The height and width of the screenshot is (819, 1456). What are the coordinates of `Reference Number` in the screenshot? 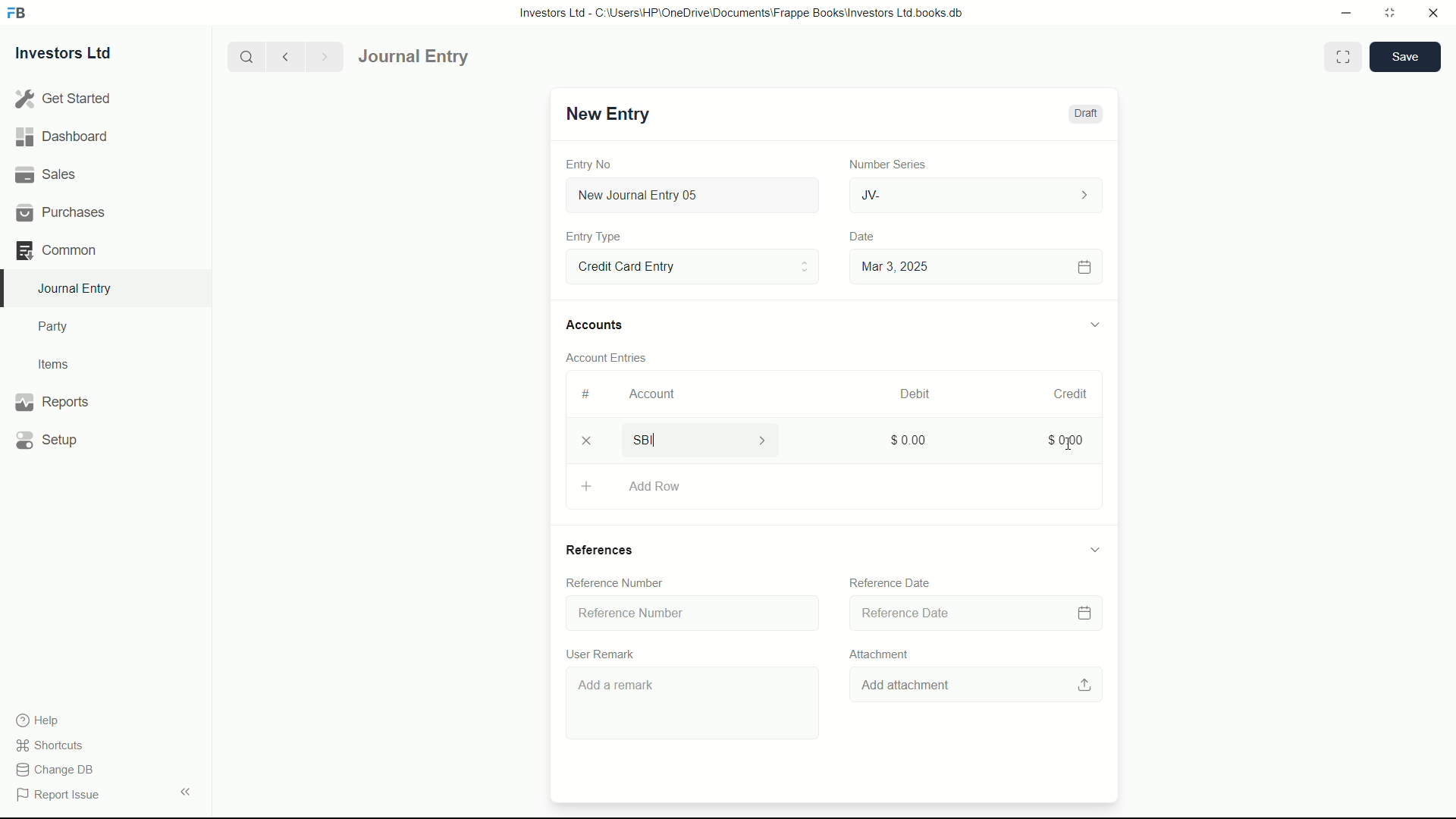 It's located at (613, 583).